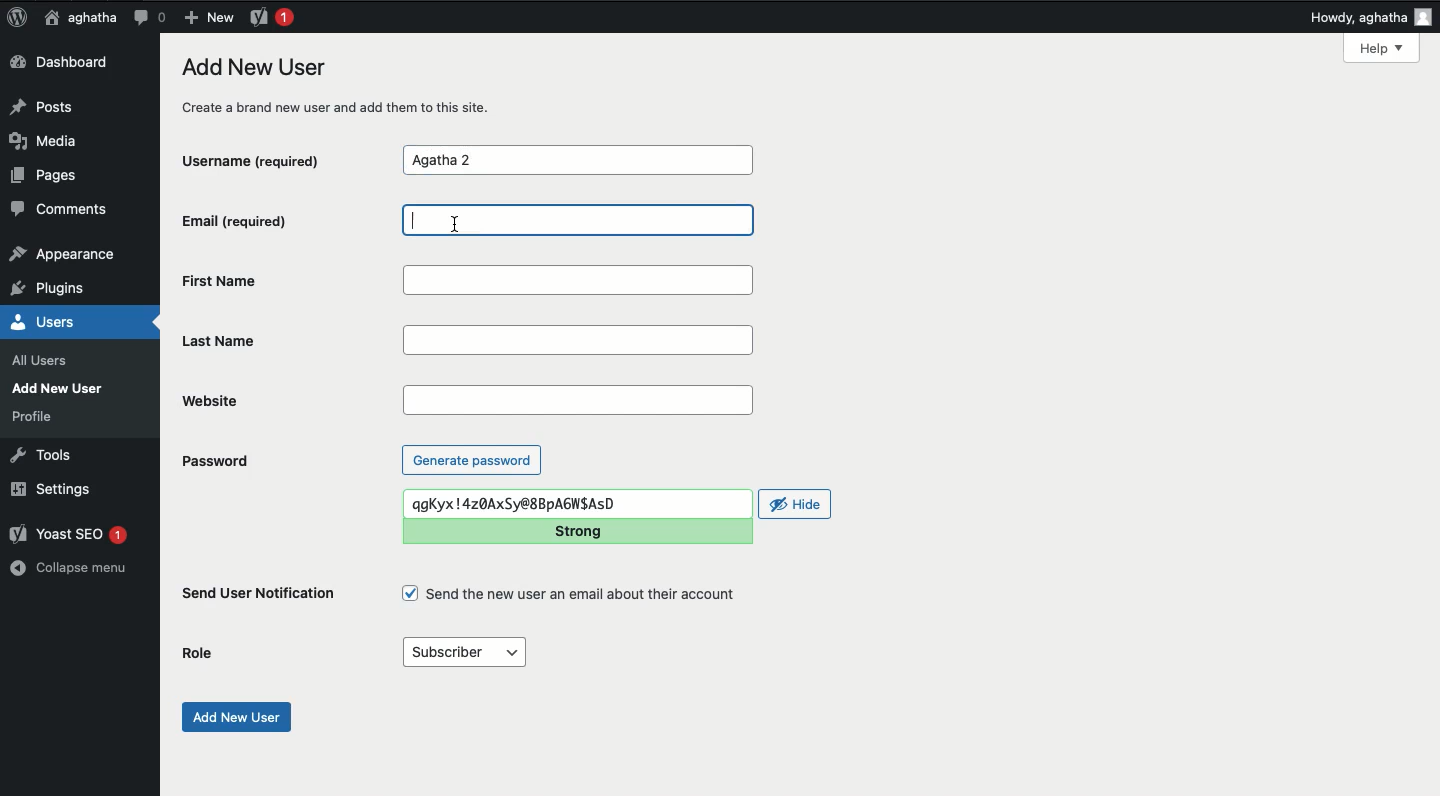 This screenshot has height=796, width=1440. Describe the element at coordinates (17, 18) in the screenshot. I see `Logo` at that location.